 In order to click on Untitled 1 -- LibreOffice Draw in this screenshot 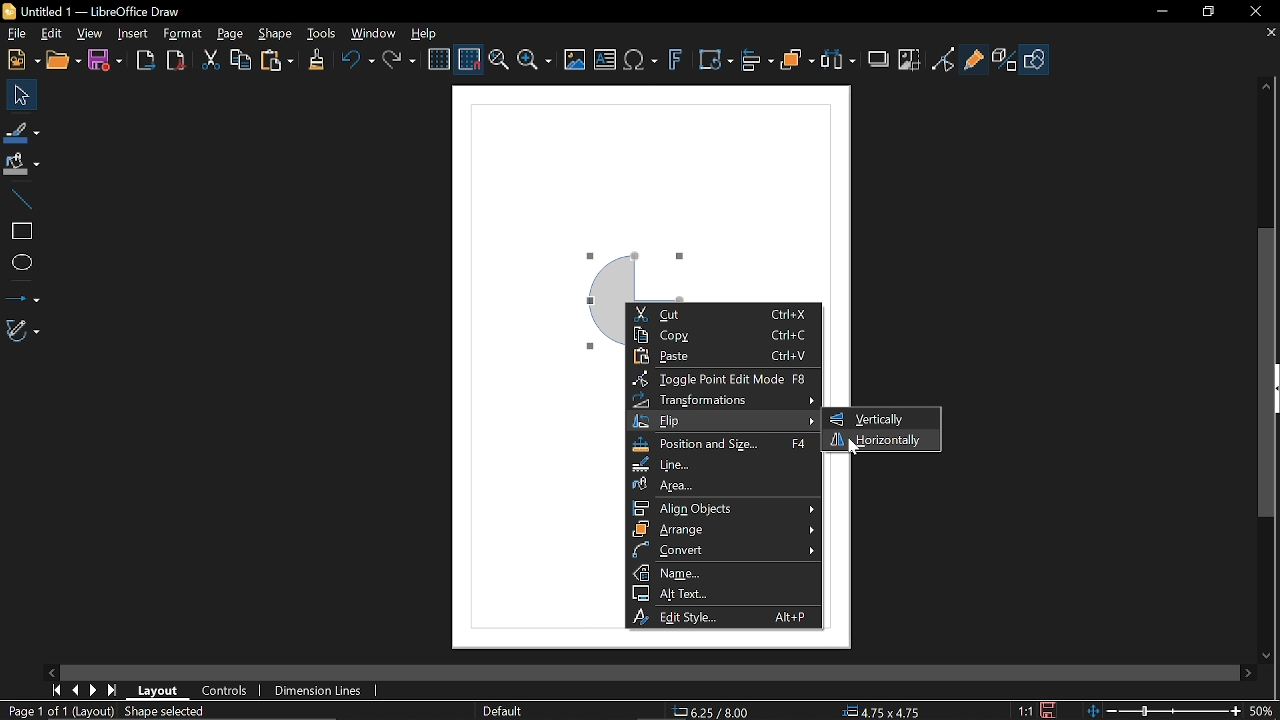, I will do `click(110, 11)`.